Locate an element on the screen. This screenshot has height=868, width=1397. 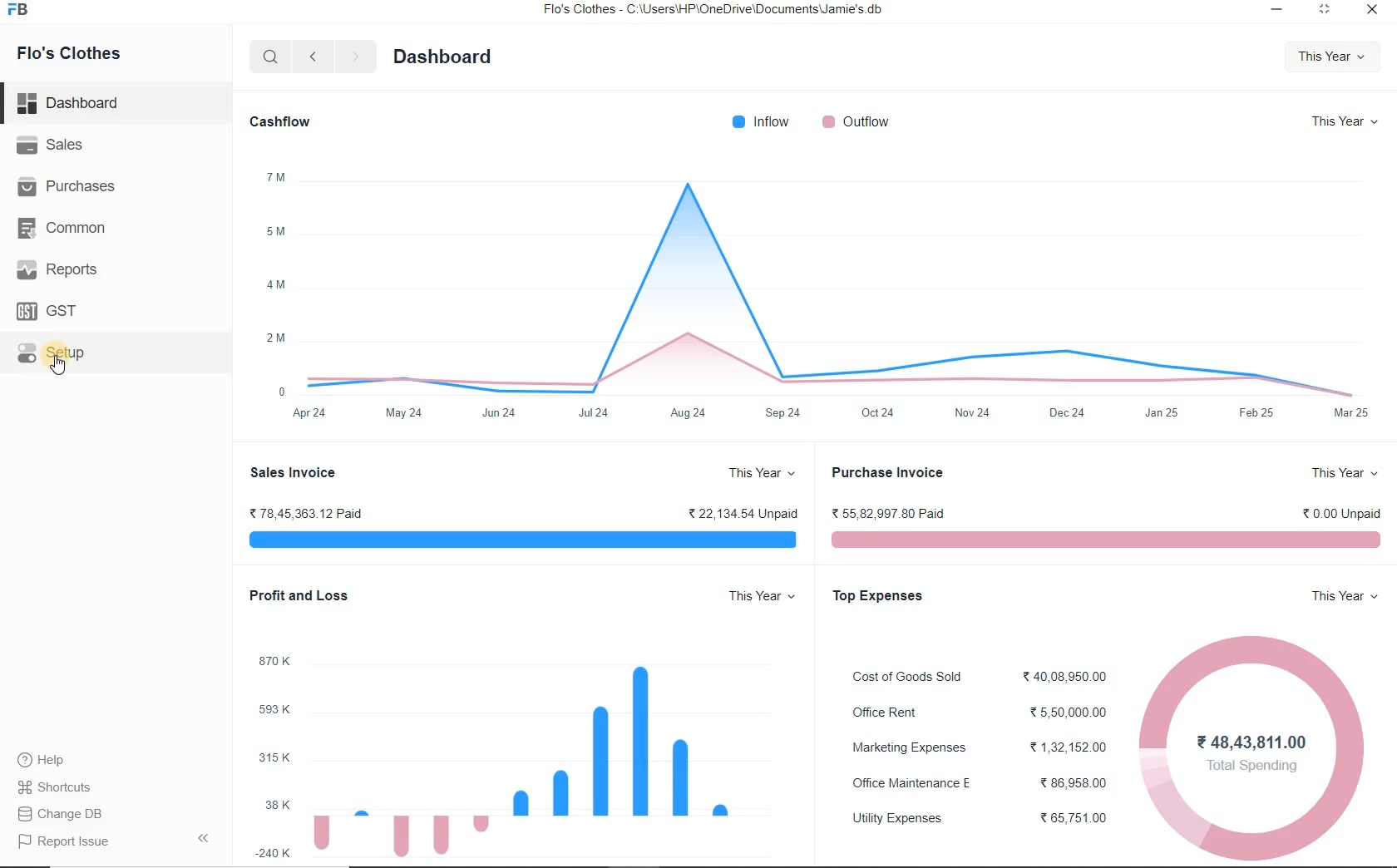
This Year  is located at coordinates (1347, 474).